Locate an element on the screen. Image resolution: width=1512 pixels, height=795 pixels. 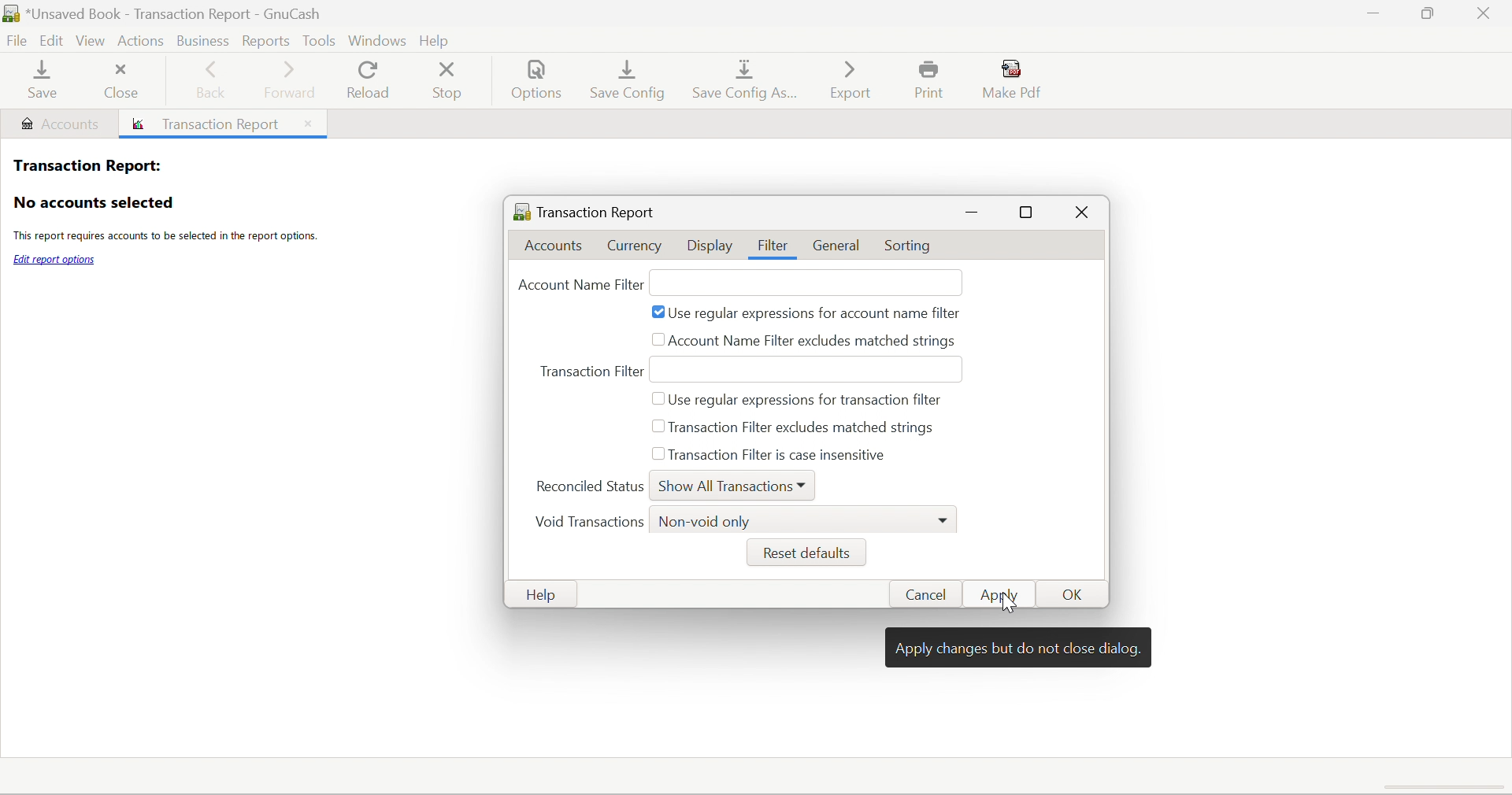
Transaction Filter is located at coordinates (594, 368).